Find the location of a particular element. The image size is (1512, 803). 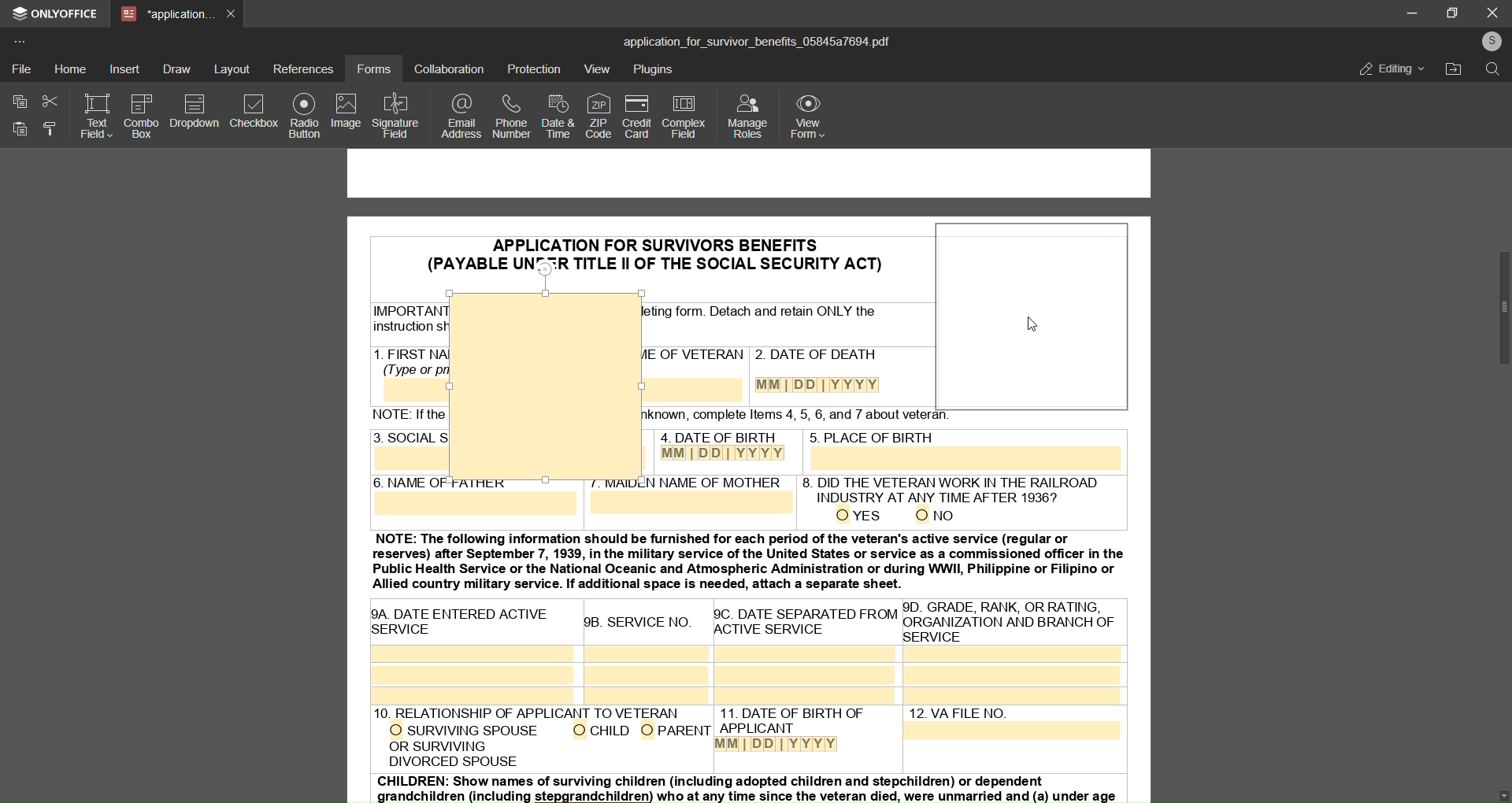

PDF of application for survivors benefits is located at coordinates (788, 327).